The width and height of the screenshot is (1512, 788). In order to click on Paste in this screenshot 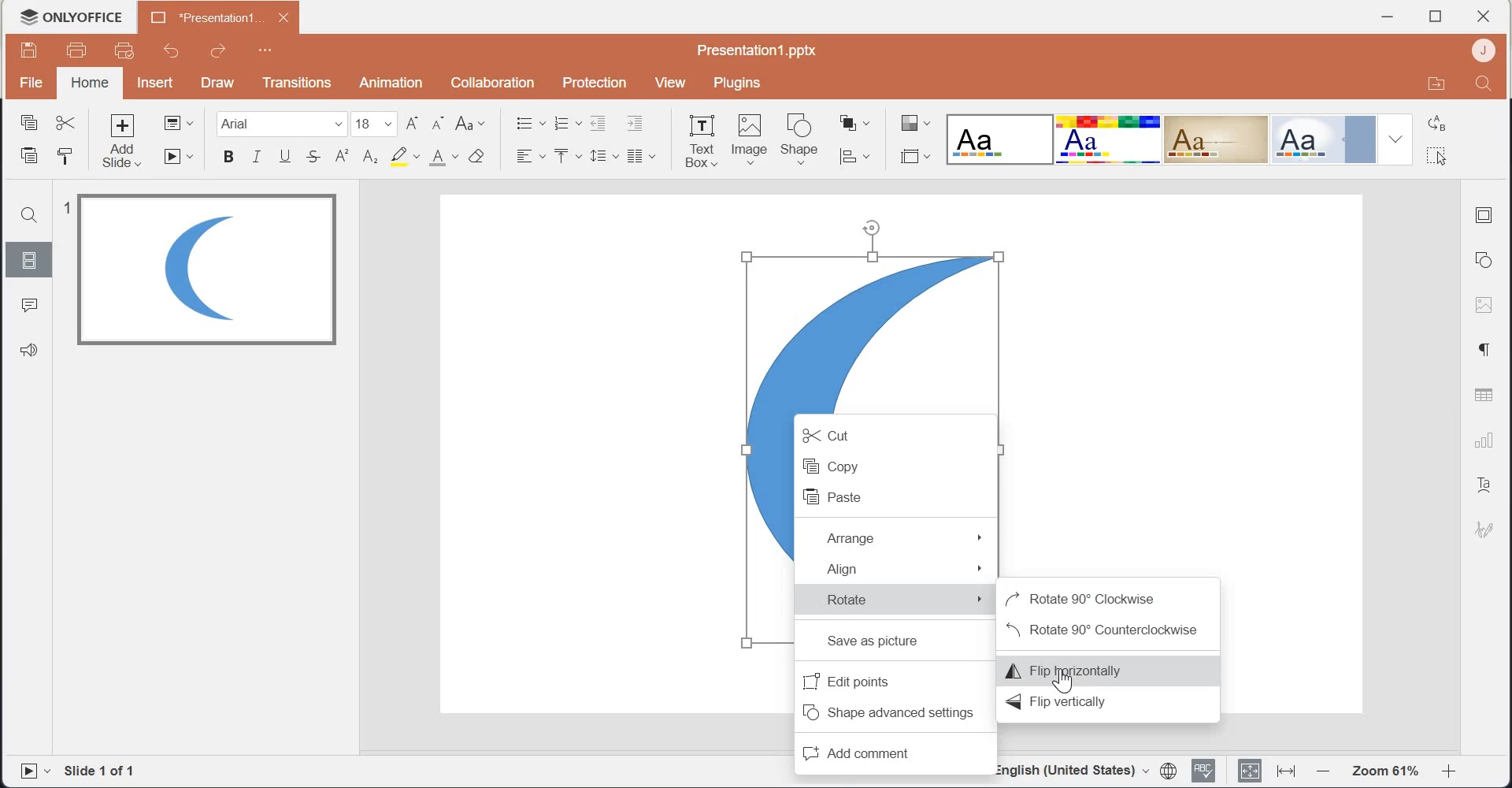, I will do `click(894, 497)`.